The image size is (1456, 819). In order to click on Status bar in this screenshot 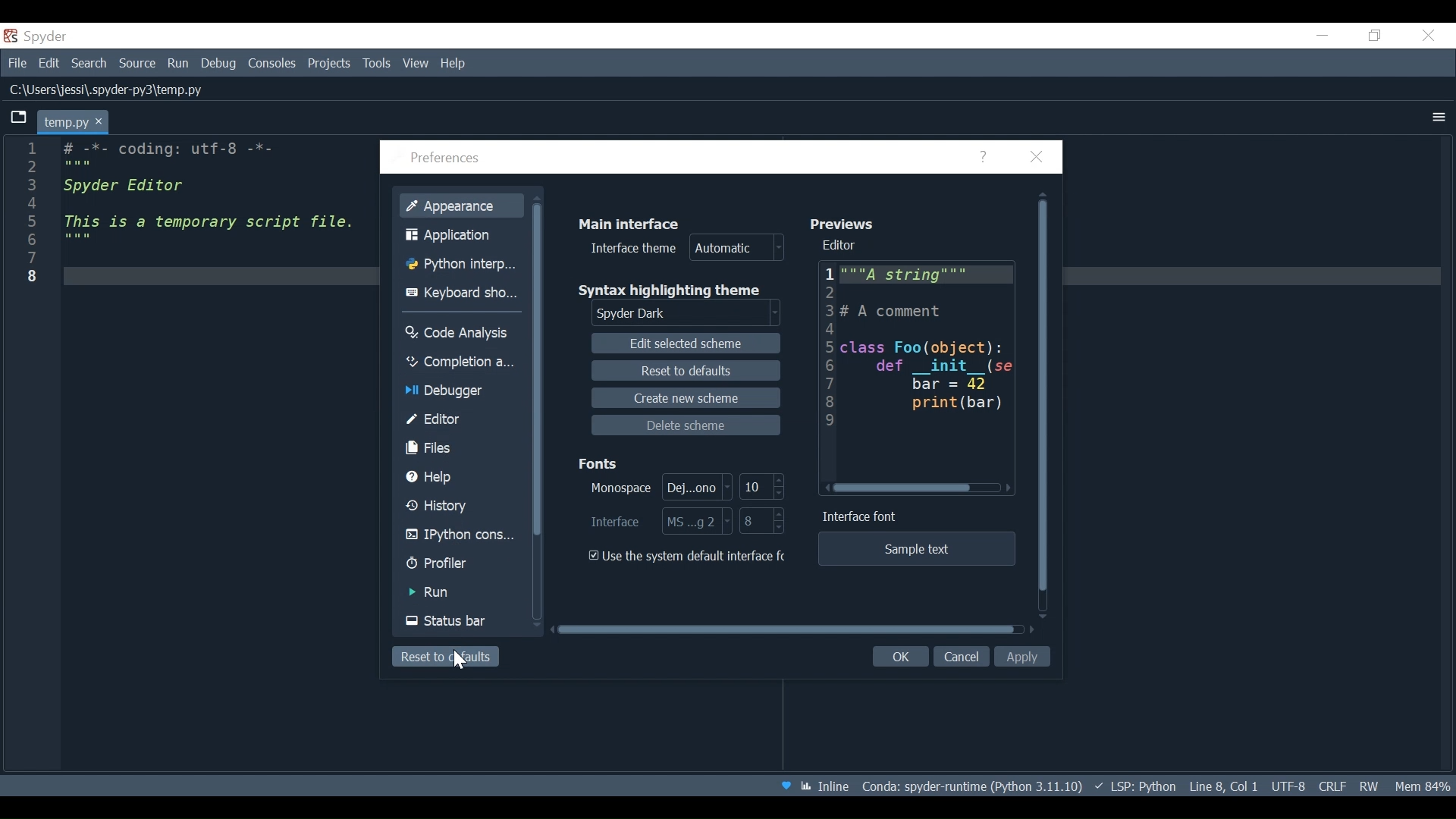, I will do `click(463, 621)`.